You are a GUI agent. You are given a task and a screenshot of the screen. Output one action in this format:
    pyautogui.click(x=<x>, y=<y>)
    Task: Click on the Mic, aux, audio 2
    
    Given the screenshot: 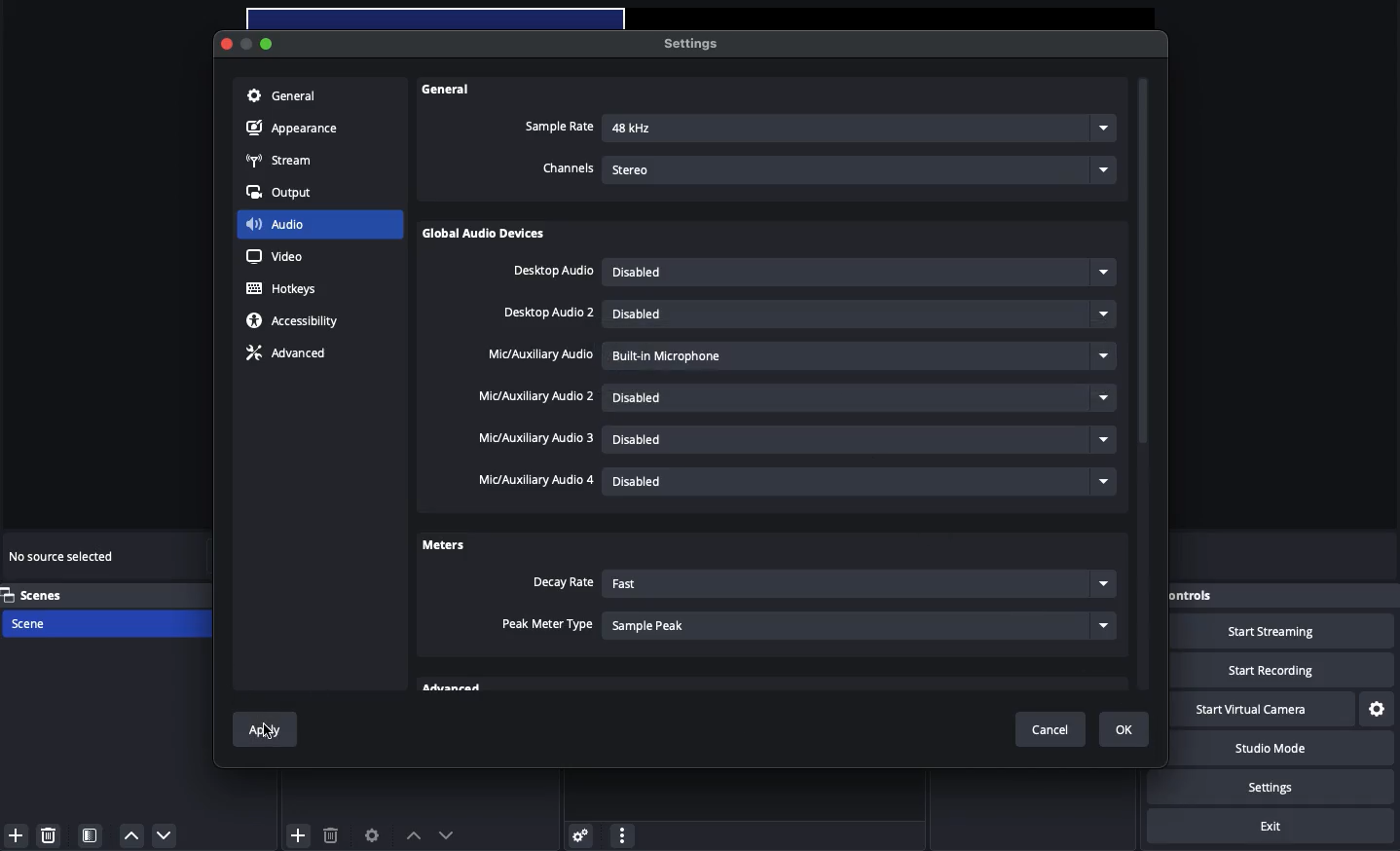 What is the action you would take?
    pyautogui.click(x=535, y=396)
    